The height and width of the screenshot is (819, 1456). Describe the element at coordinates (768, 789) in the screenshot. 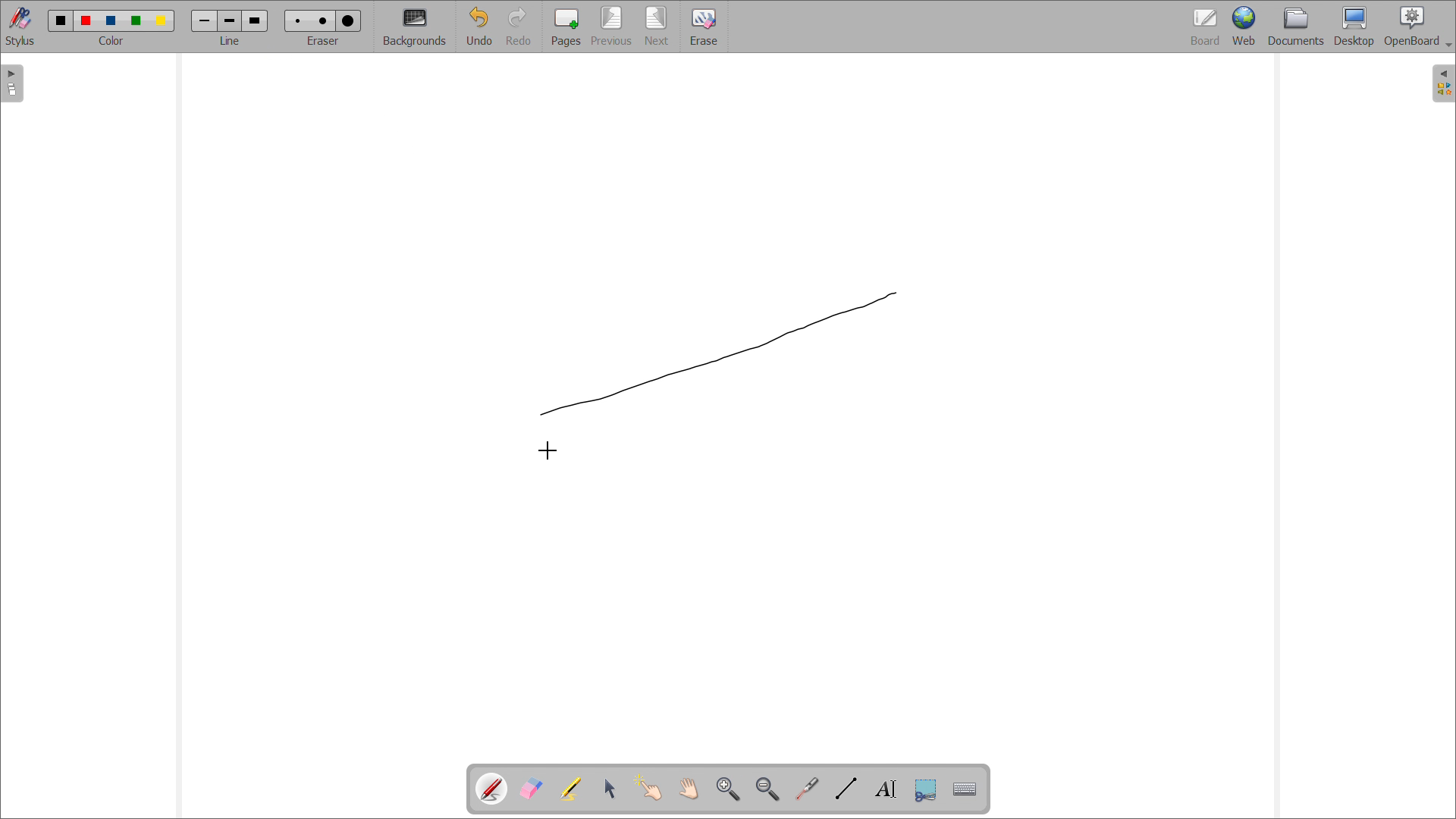

I see `zoom out` at that location.